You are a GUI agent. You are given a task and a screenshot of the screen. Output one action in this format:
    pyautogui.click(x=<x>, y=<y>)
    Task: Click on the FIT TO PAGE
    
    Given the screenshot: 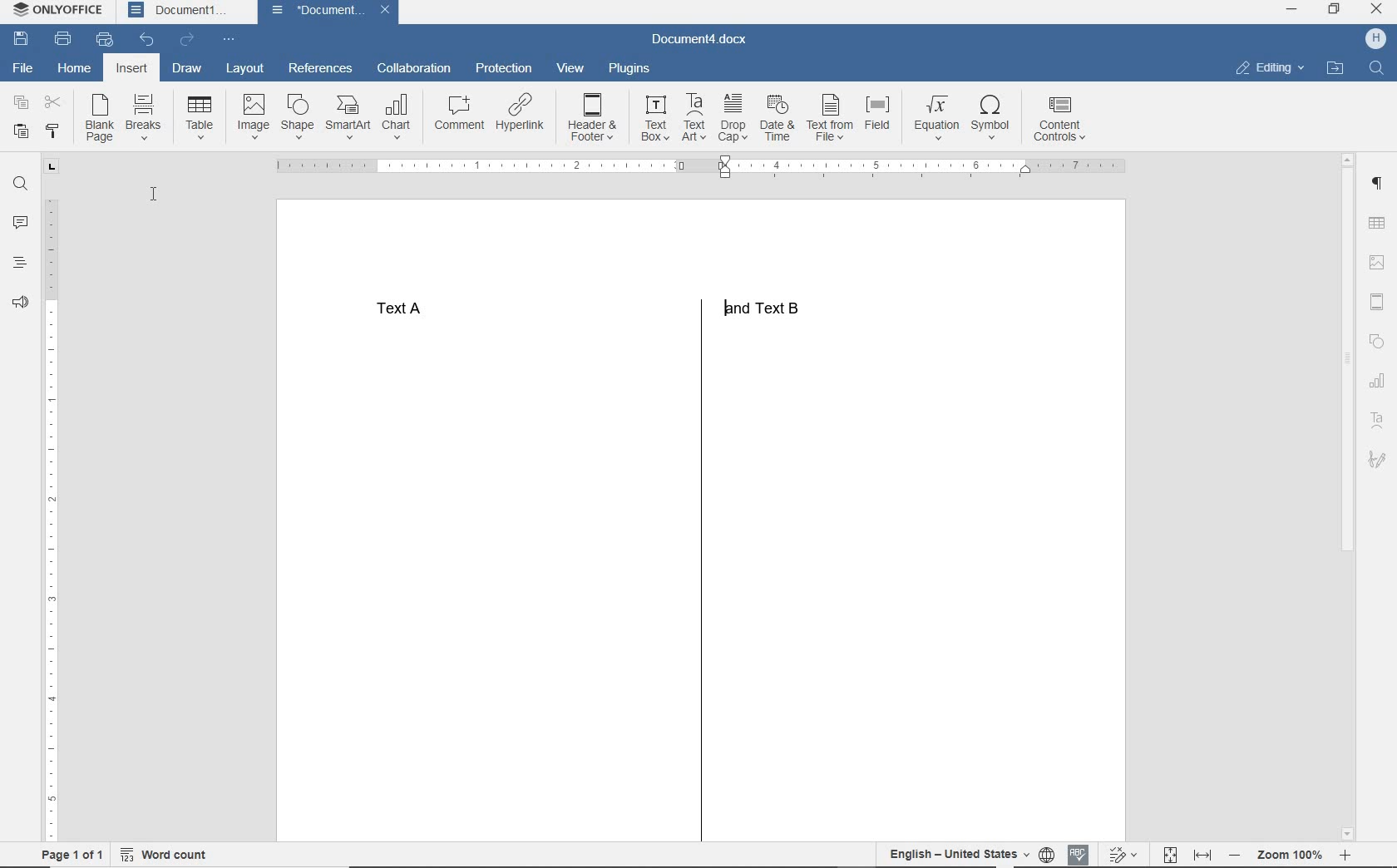 What is the action you would take?
    pyautogui.click(x=1170, y=853)
    